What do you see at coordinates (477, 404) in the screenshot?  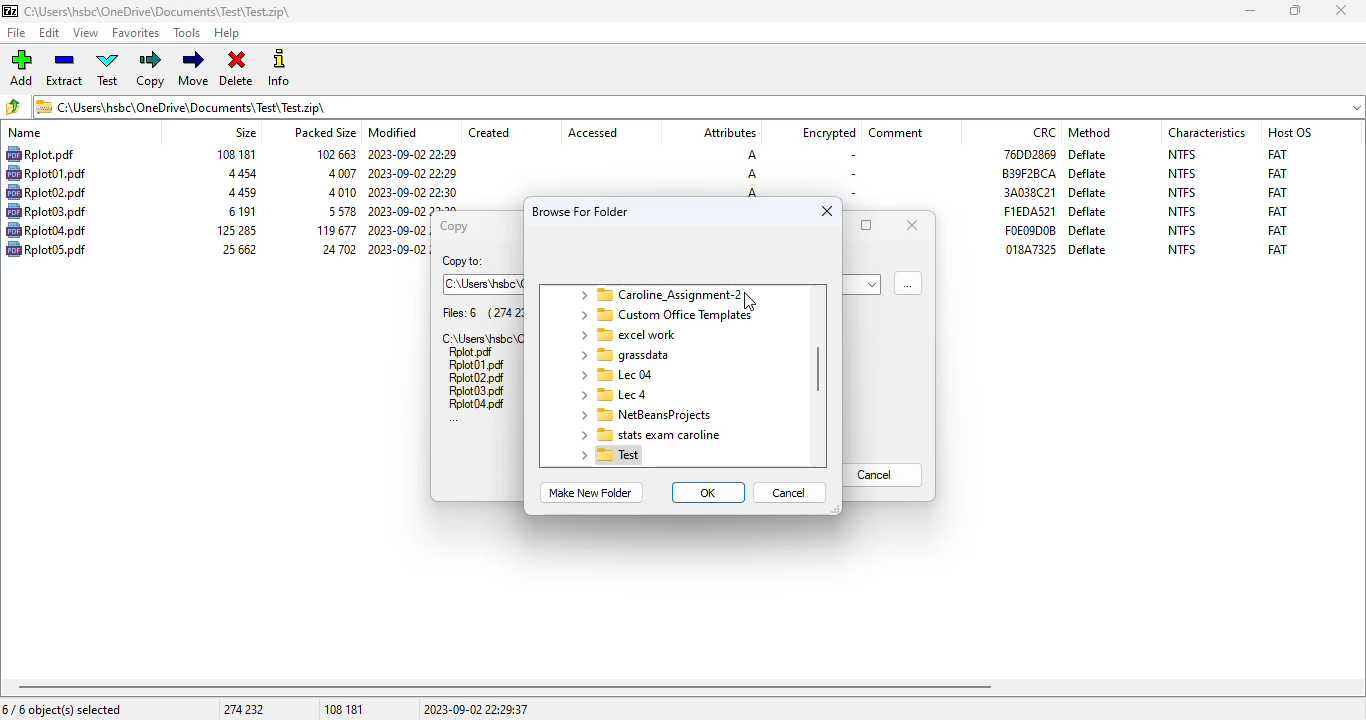 I see `file` at bounding box center [477, 404].